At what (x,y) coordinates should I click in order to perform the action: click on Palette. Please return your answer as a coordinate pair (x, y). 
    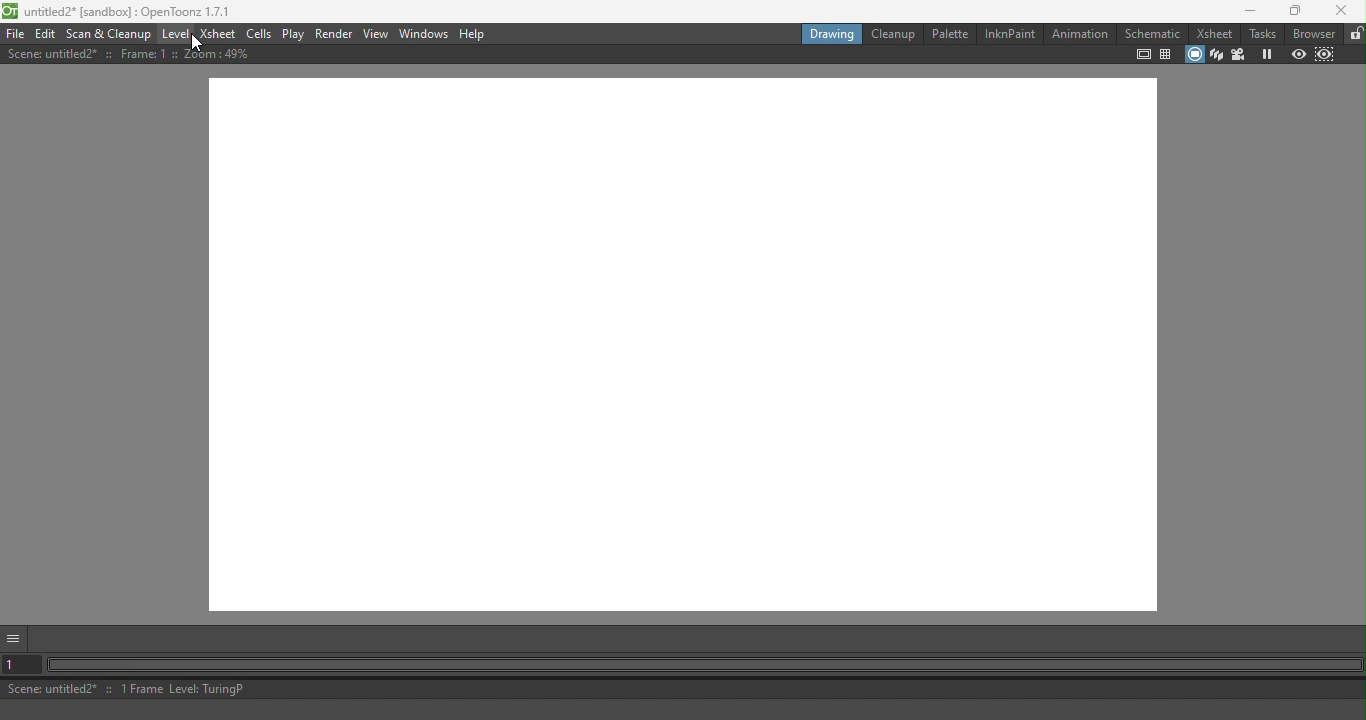
    Looking at the image, I should click on (949, 34).